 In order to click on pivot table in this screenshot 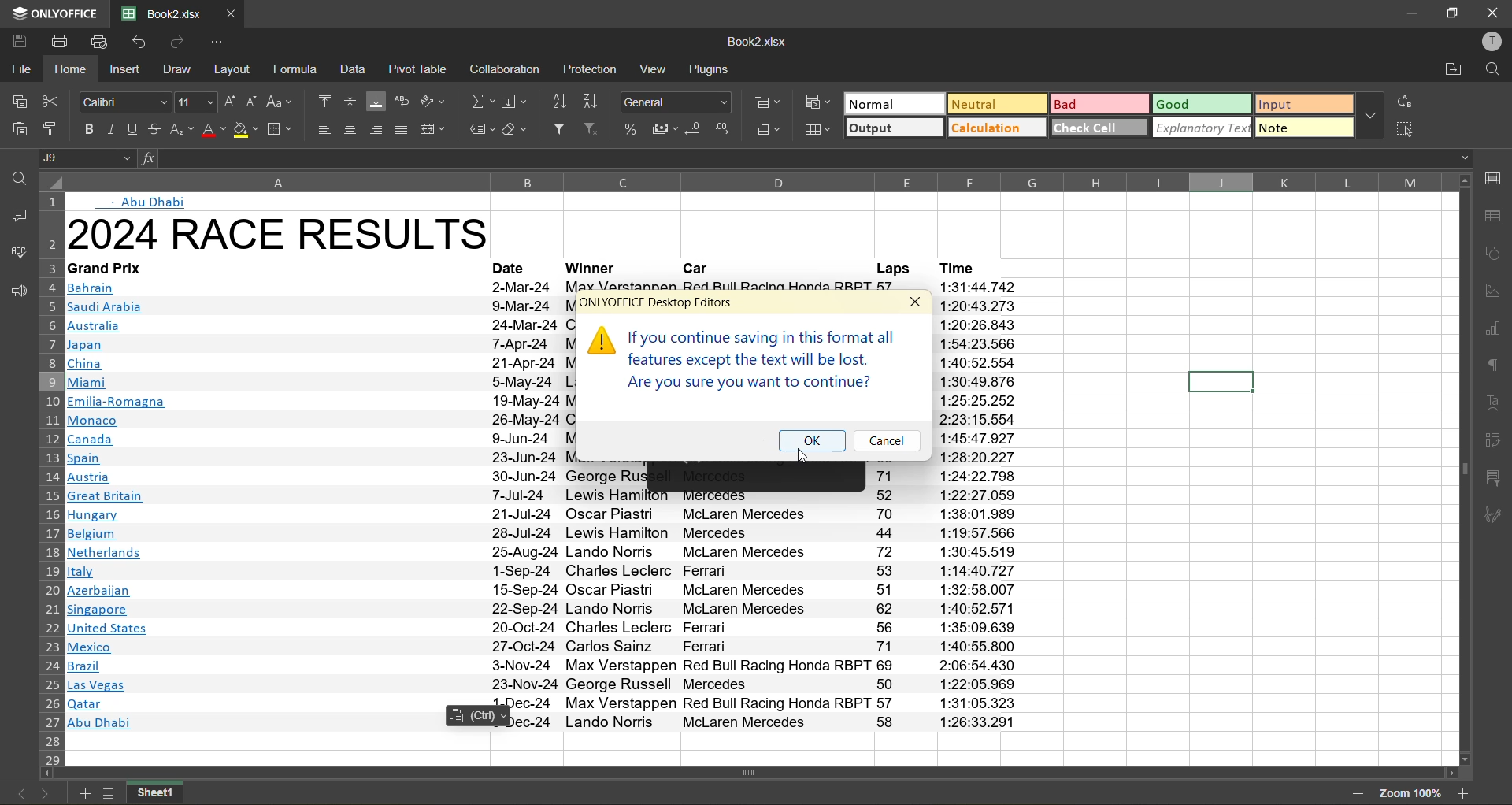, I will do `click(1495, 443)`.